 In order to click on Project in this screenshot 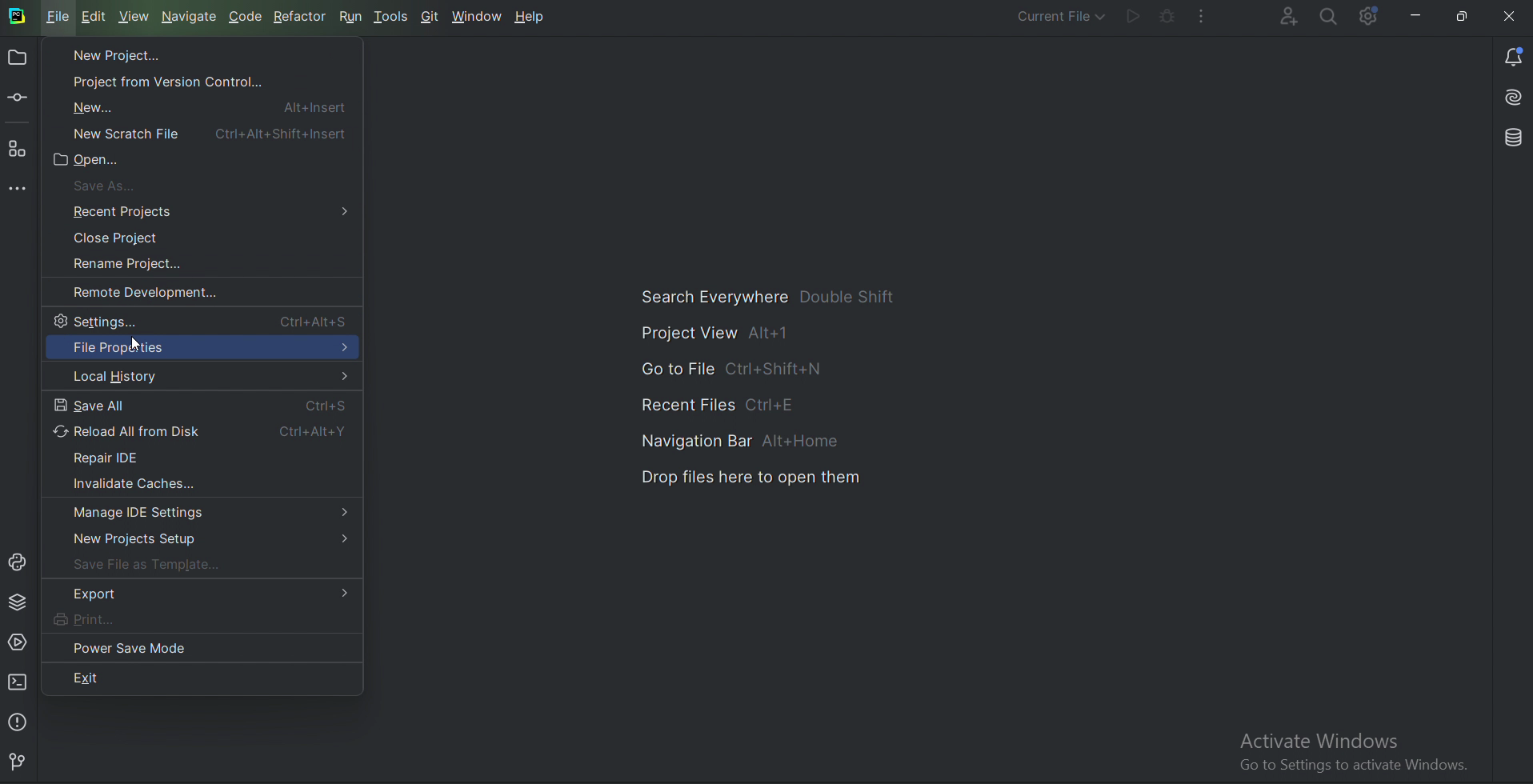, I will do `click(17, 59)`.